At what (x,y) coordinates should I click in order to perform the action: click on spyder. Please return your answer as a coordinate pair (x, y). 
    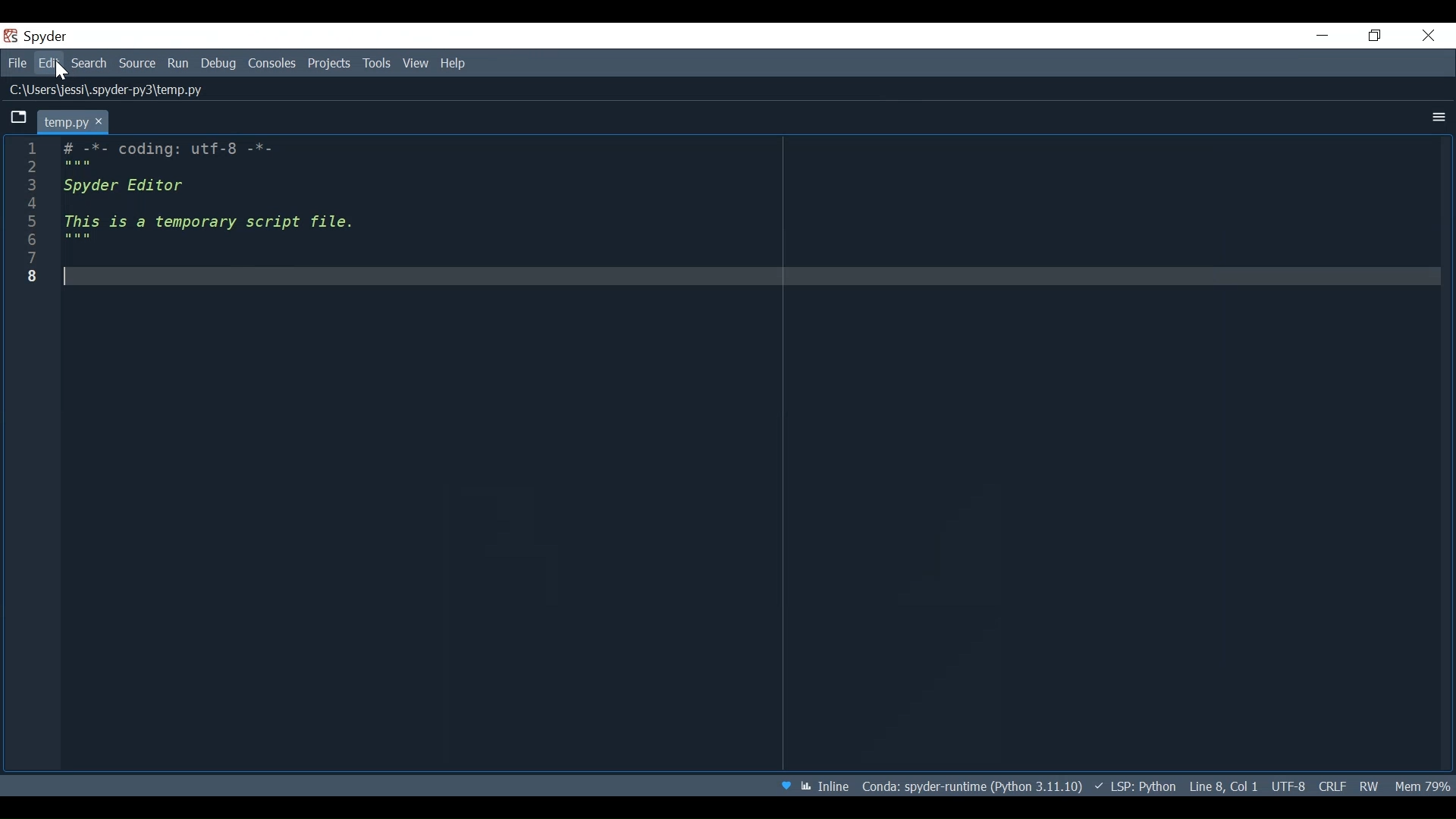
    Looking at the image, I should click on (49, 38).